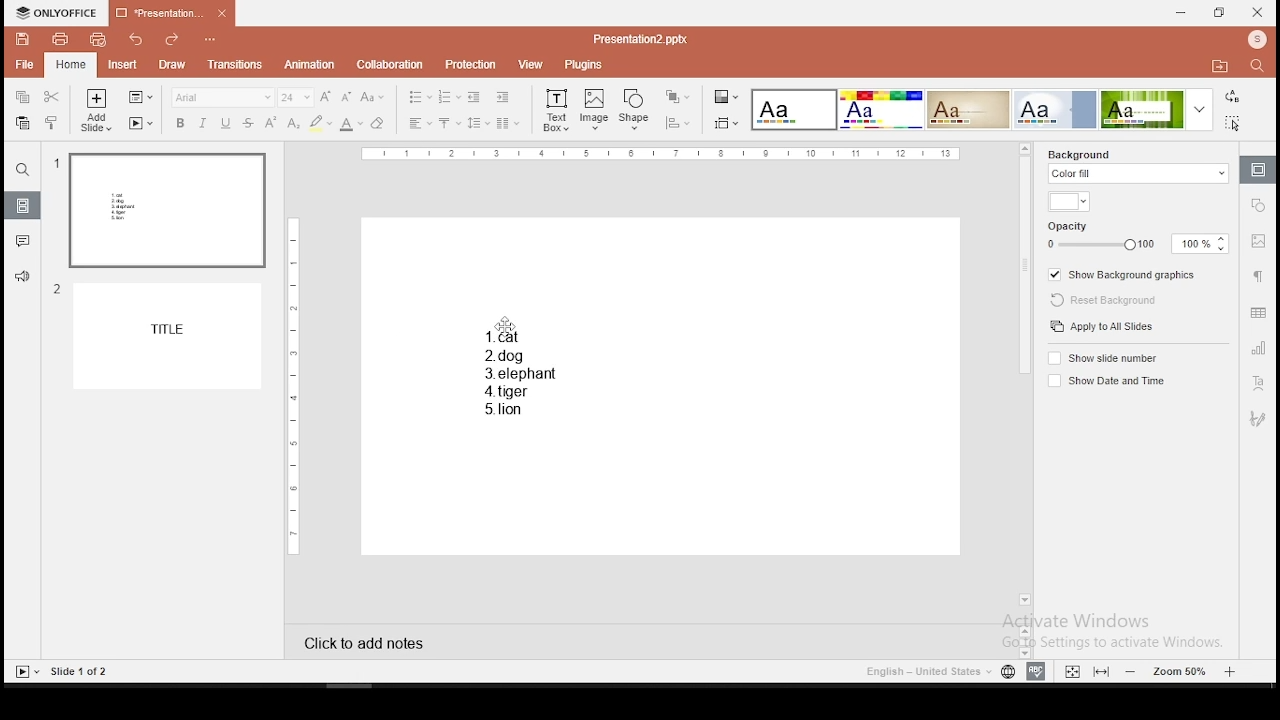  What do you see at coordinates (1055, 109) in the screenshot?
I see `theme` at bounding box center [1055, 109].